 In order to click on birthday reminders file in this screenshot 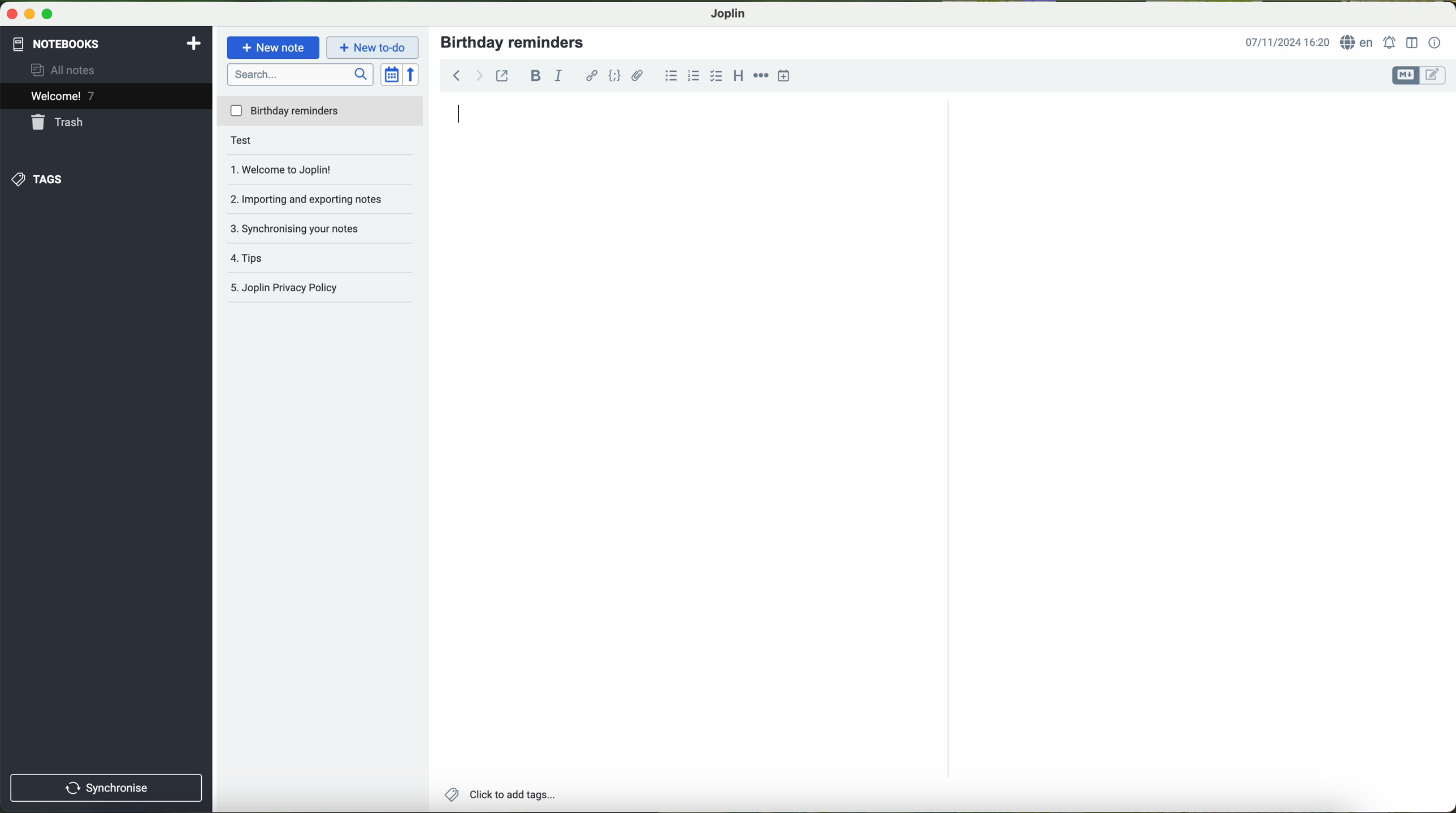, I will do `click(321, 113)`.